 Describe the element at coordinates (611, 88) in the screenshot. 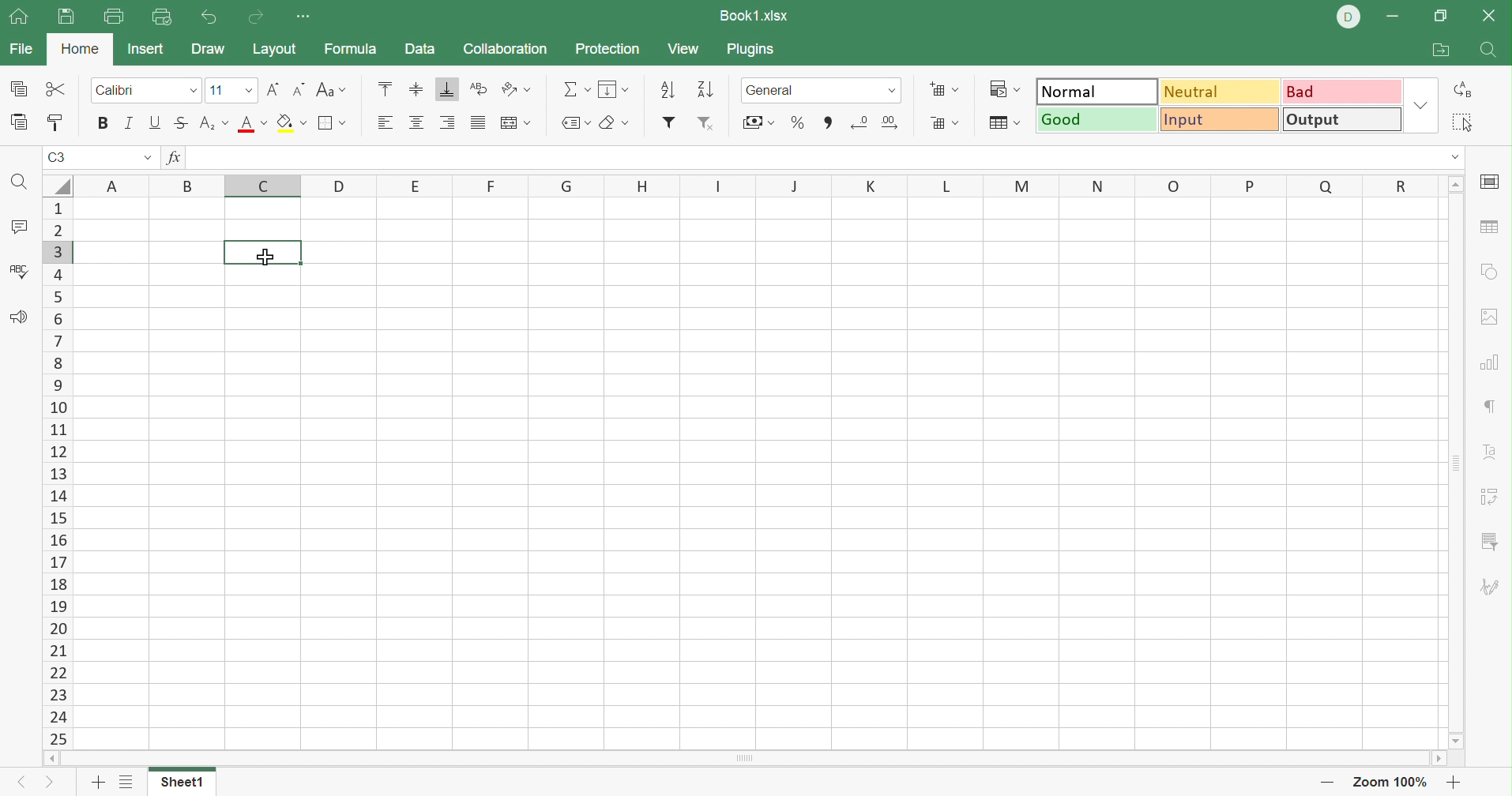

I see `Fill` at that location.